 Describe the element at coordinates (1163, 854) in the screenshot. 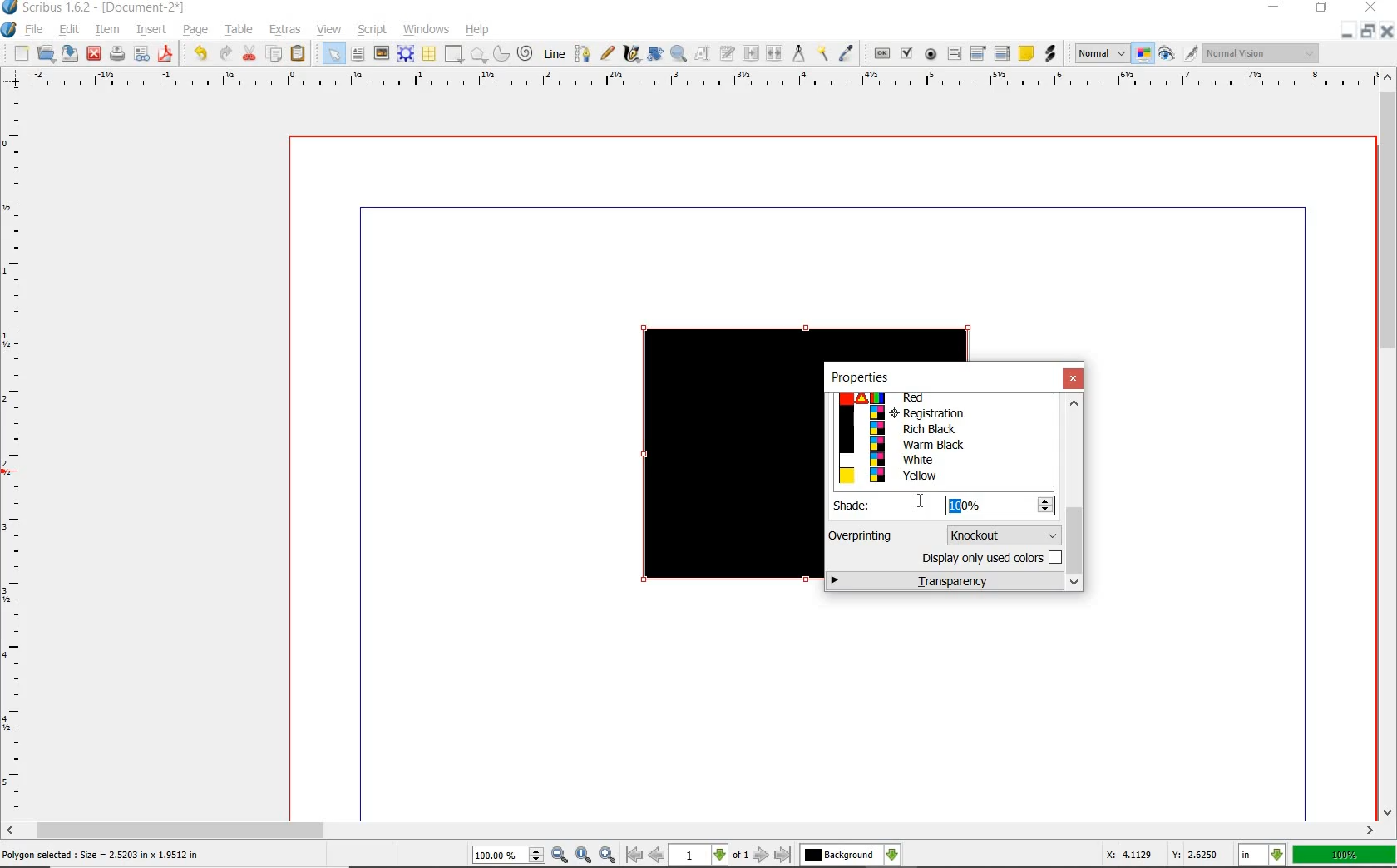

I see `X: 4.1129 Y: 2.6250` at that location.